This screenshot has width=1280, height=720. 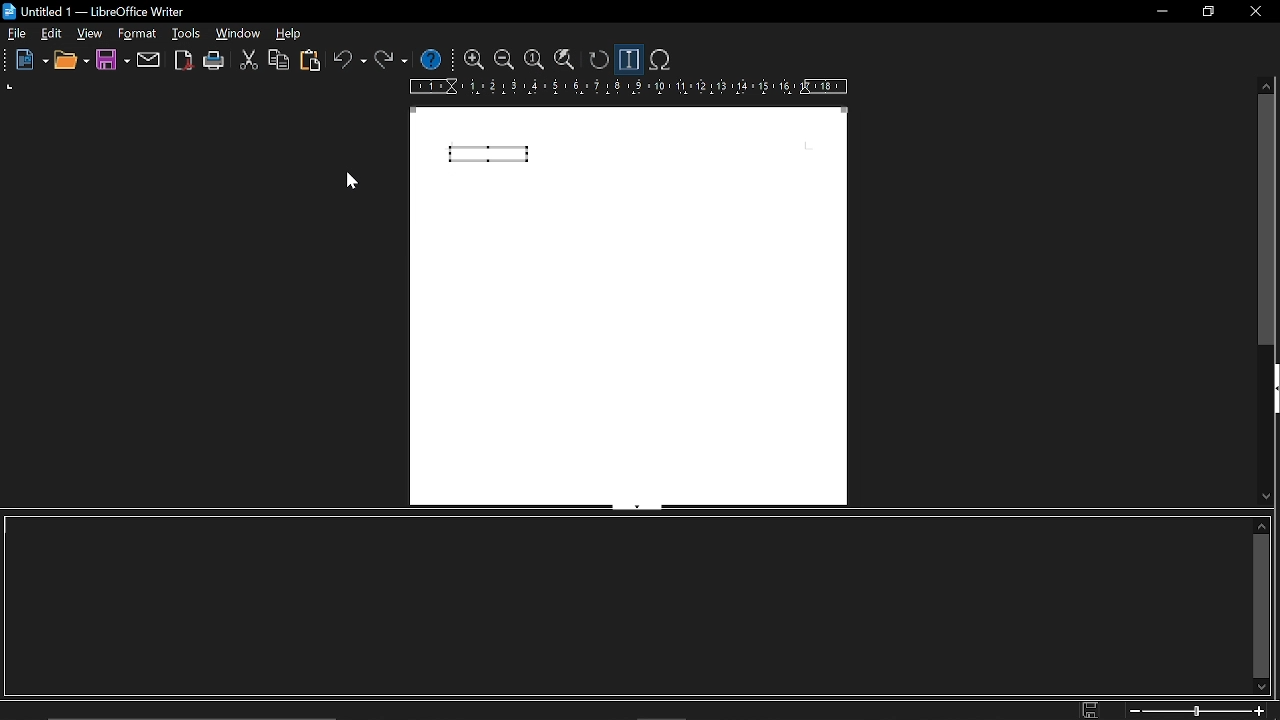 What do you see at coordinates (1256, 12) in the screenshot?
I see `close` at bounding box center [1256, 12].